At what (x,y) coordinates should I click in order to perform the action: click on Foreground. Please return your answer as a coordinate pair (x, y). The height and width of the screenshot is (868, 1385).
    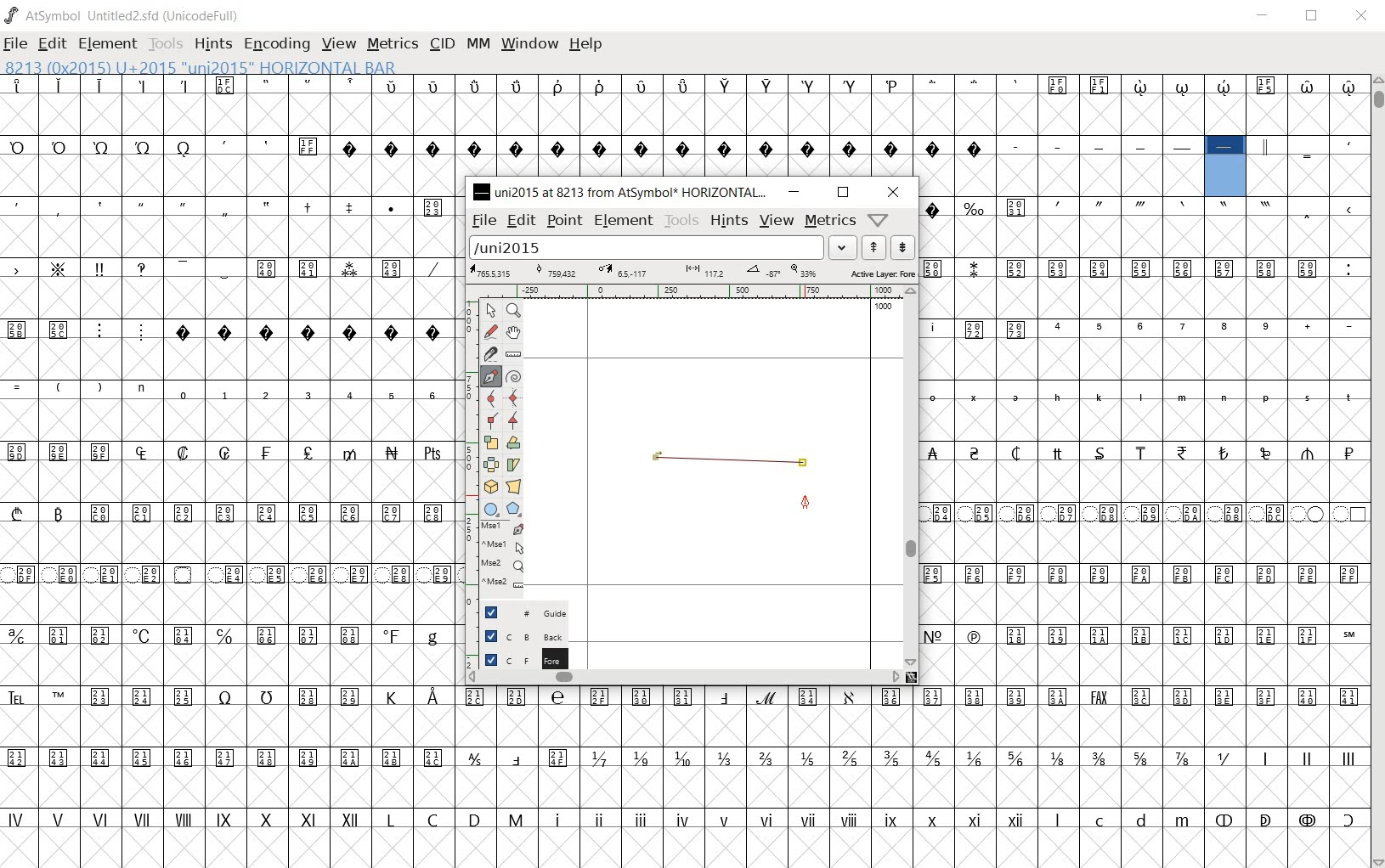
    Looking at the image, I should click on (516, 658).